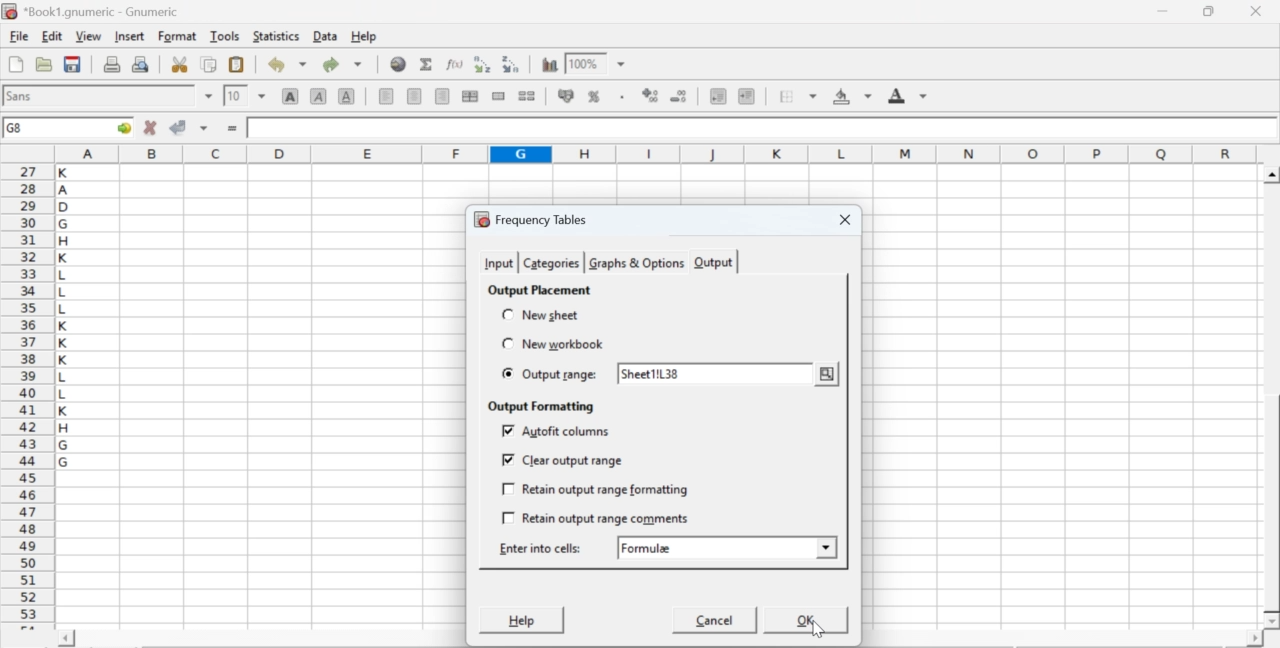 The image size is (1280, 648). Describe the element at coordinates (596, 490) in the screenshot. I see `retain output range formatting` at that location.